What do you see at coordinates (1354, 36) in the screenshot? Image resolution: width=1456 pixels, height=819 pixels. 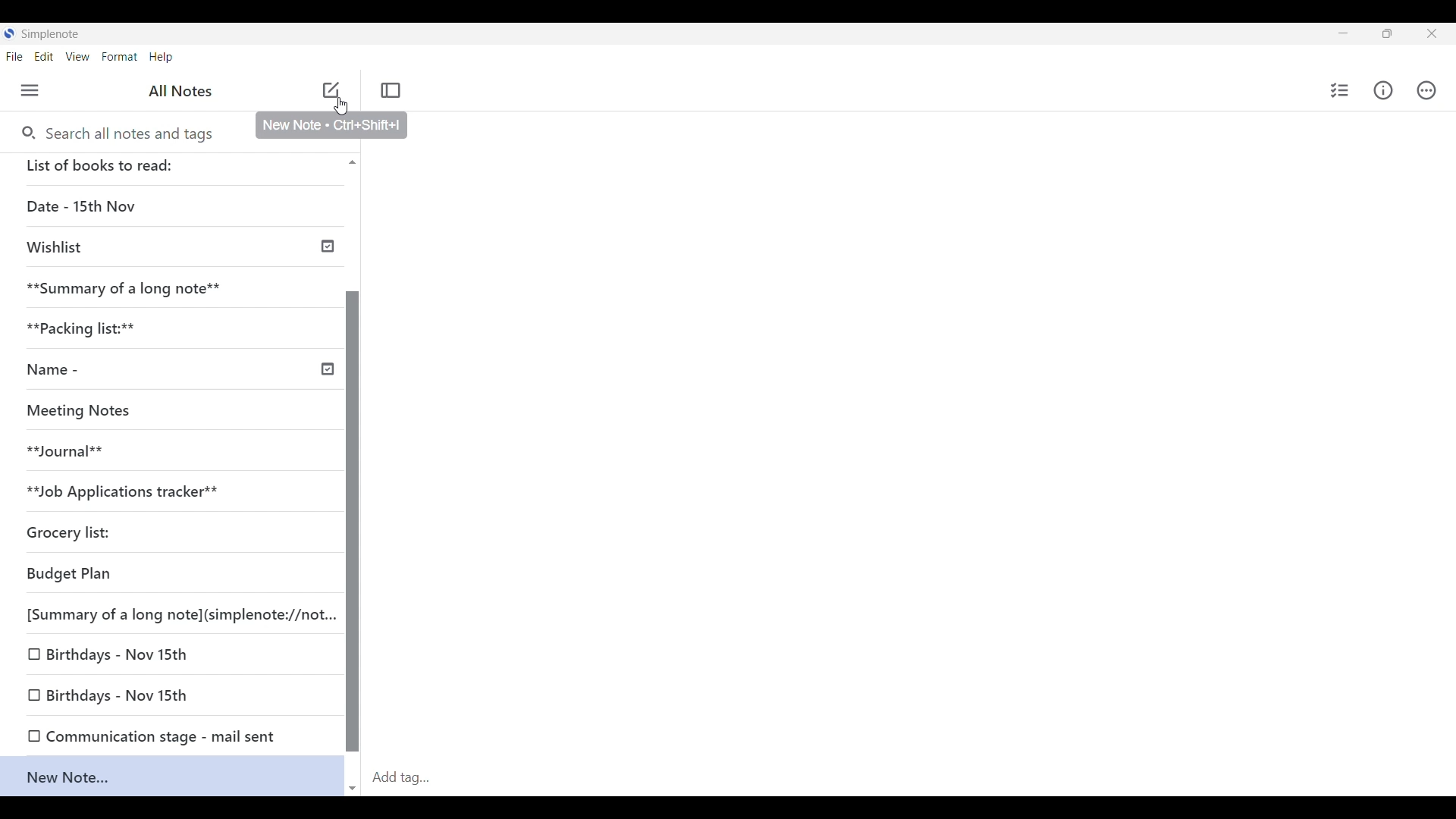 I see `minimize` at bounding box center [1354, 36].